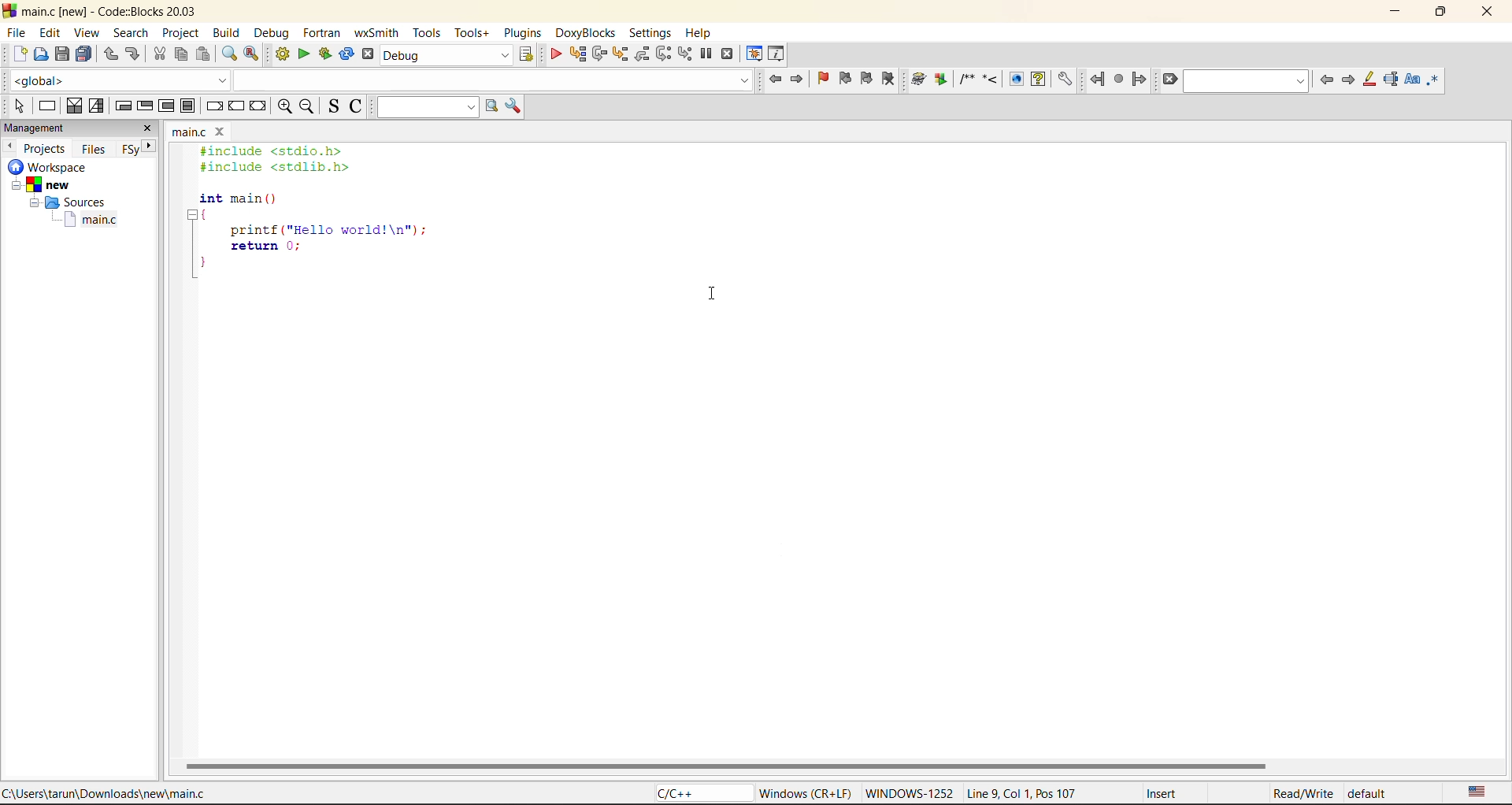 This screenshot has height=805, width=1512. Describe the element at coordinates (125, 106) in the screenshot. I see `entry condition loop` at that location.